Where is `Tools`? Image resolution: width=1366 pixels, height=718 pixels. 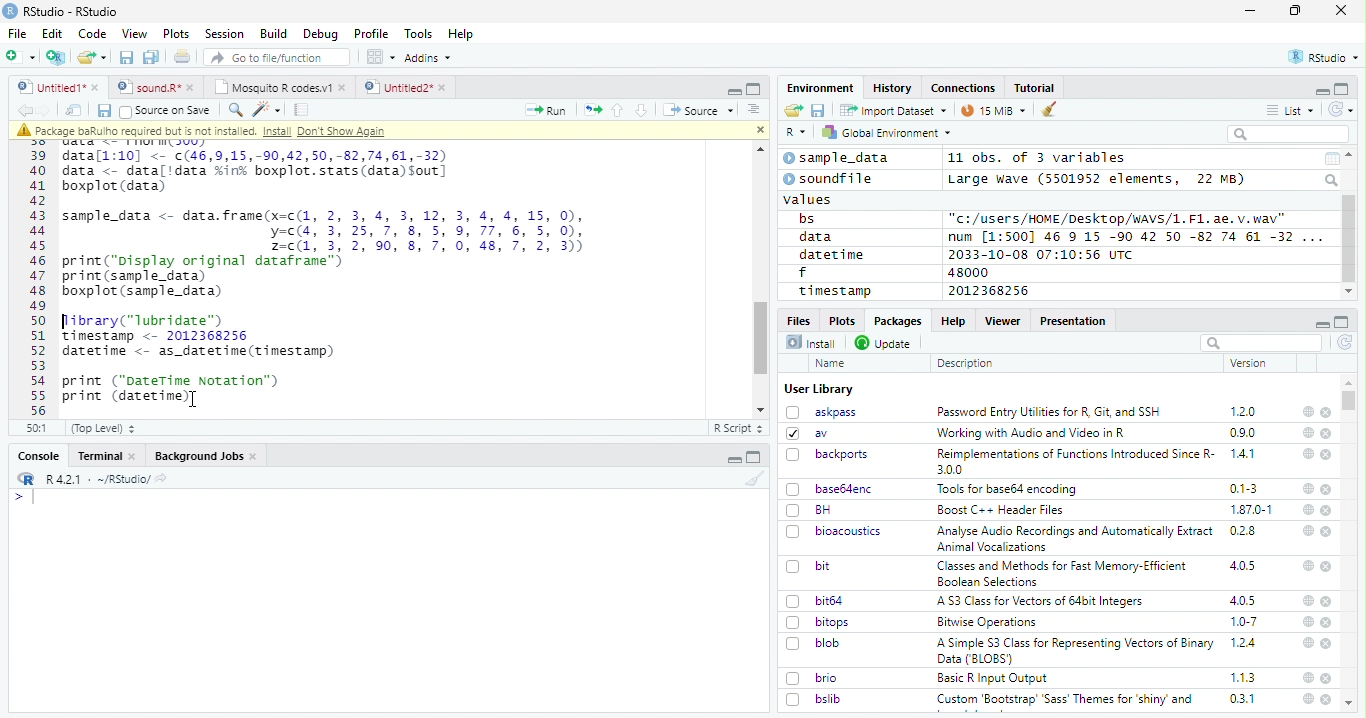
Tools is located at coordinates (417, 34).